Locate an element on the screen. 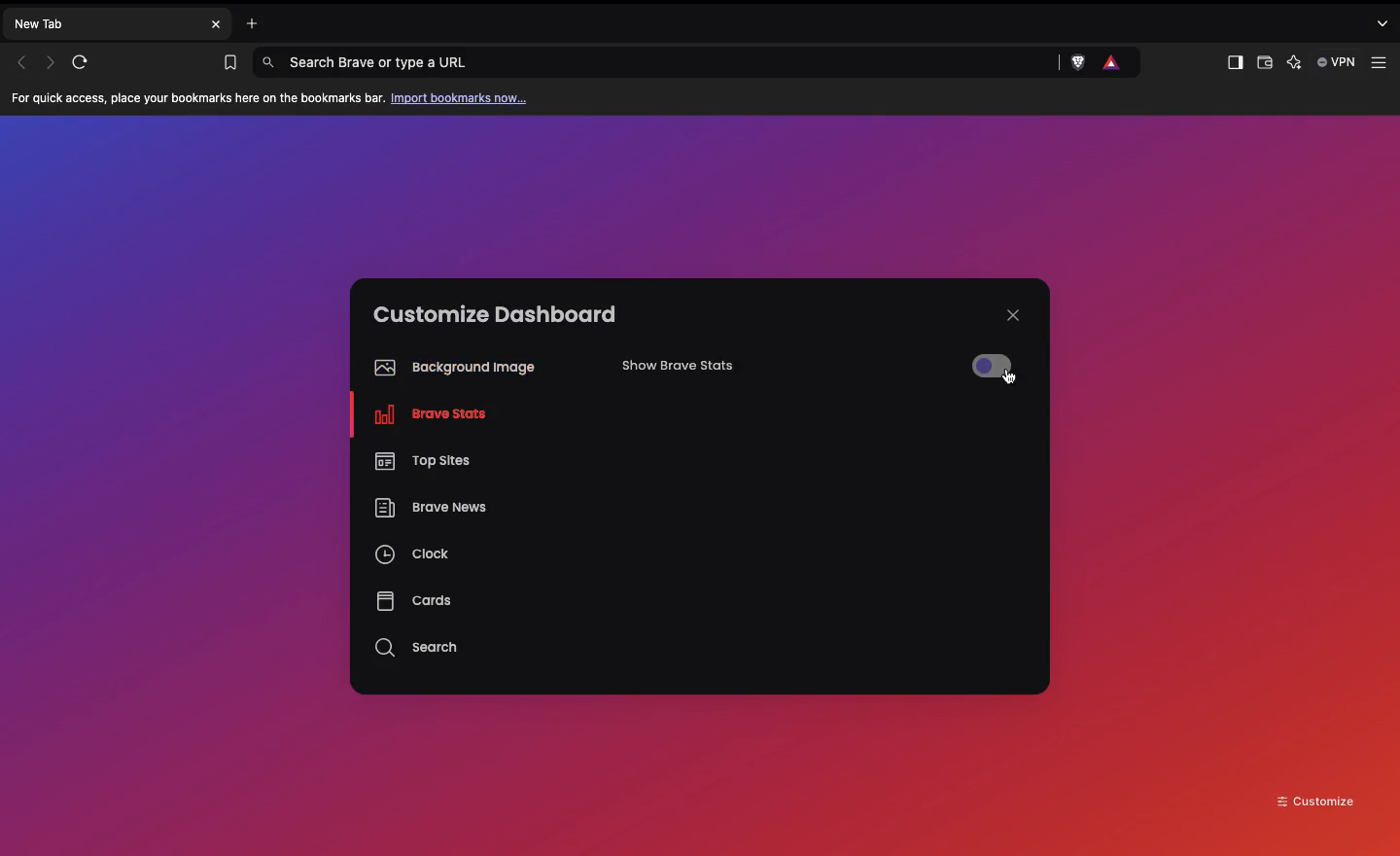  For quick access, place your bookmarks here on the bookmarks bar. is located at coordinates (198, 99).